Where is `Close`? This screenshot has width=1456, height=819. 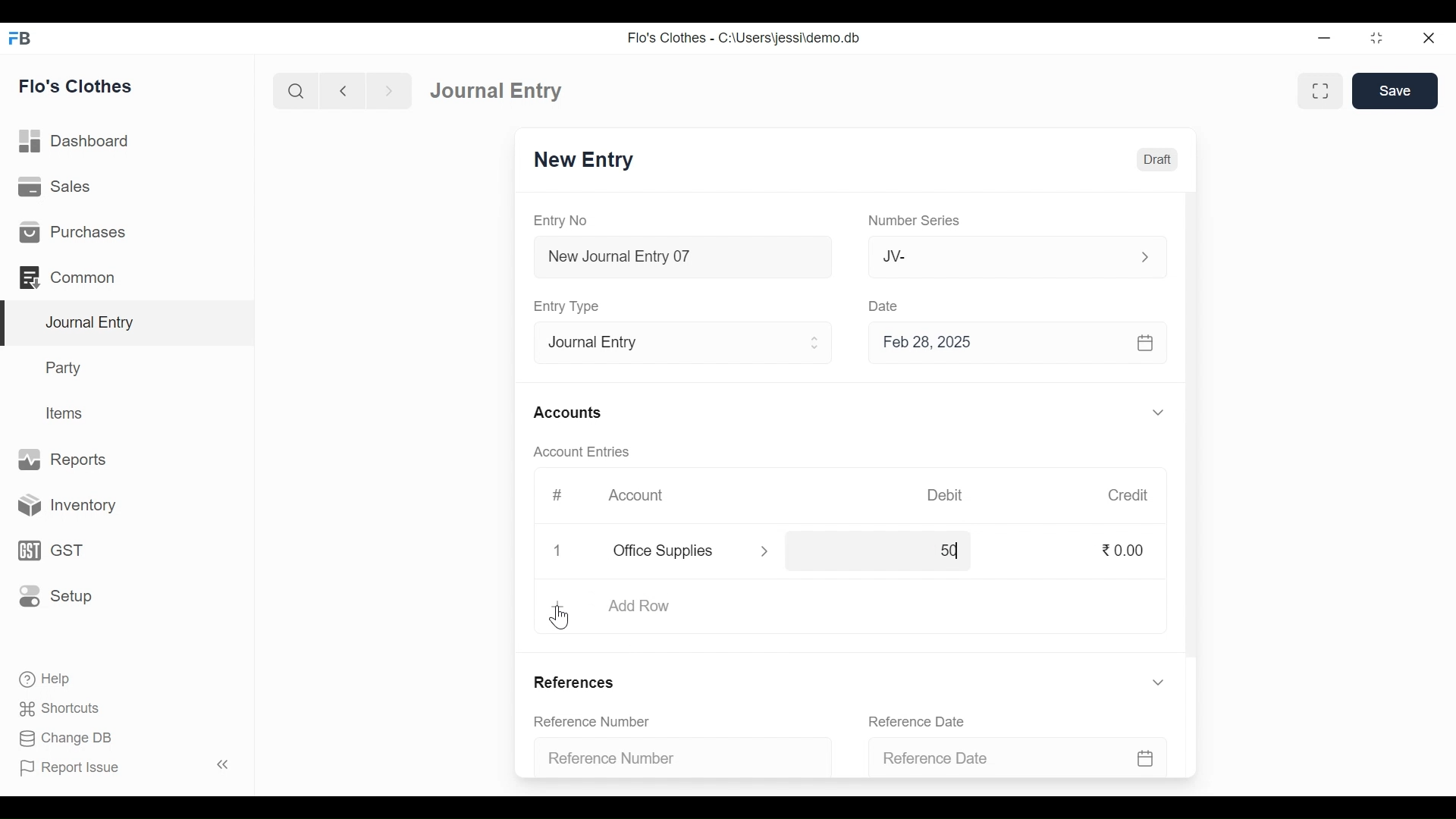 Close is located at coordinates (1429, 39).